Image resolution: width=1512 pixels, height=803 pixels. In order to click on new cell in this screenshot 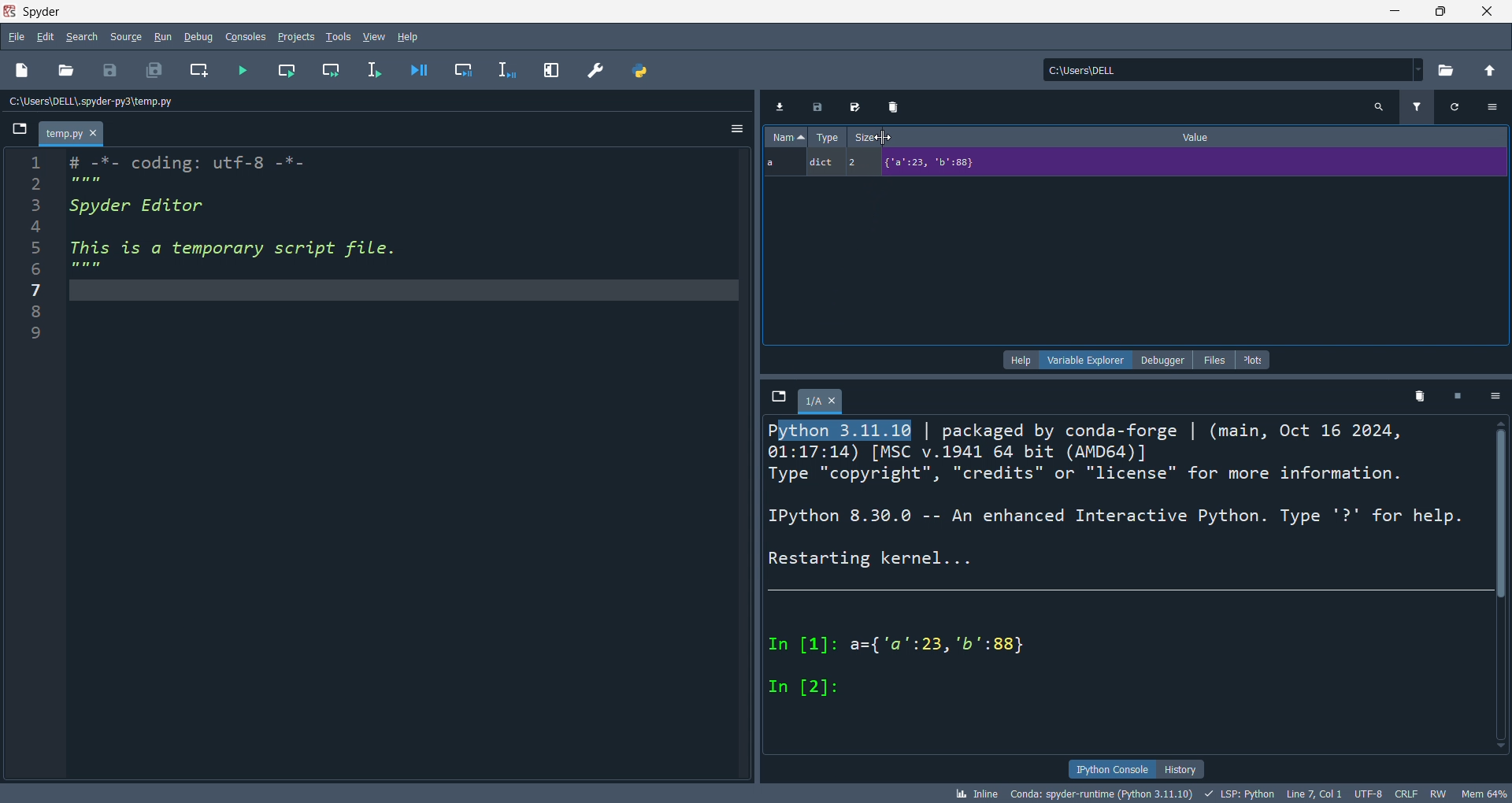, I will do `click(196, 69)`.